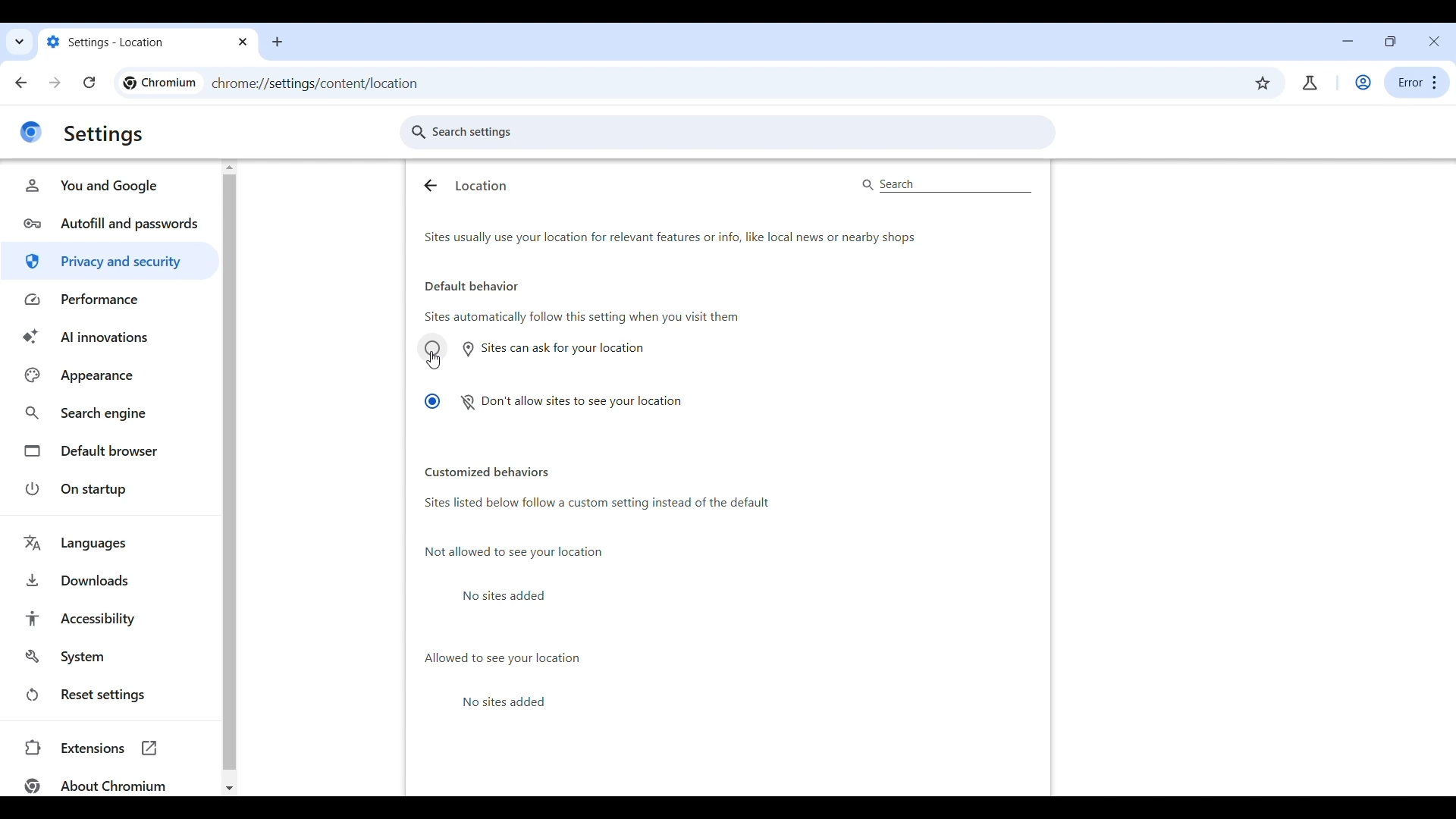  Describe the element at coordinates (513, 553) in the screenshot. I see `not allowed to see you location` at that location.